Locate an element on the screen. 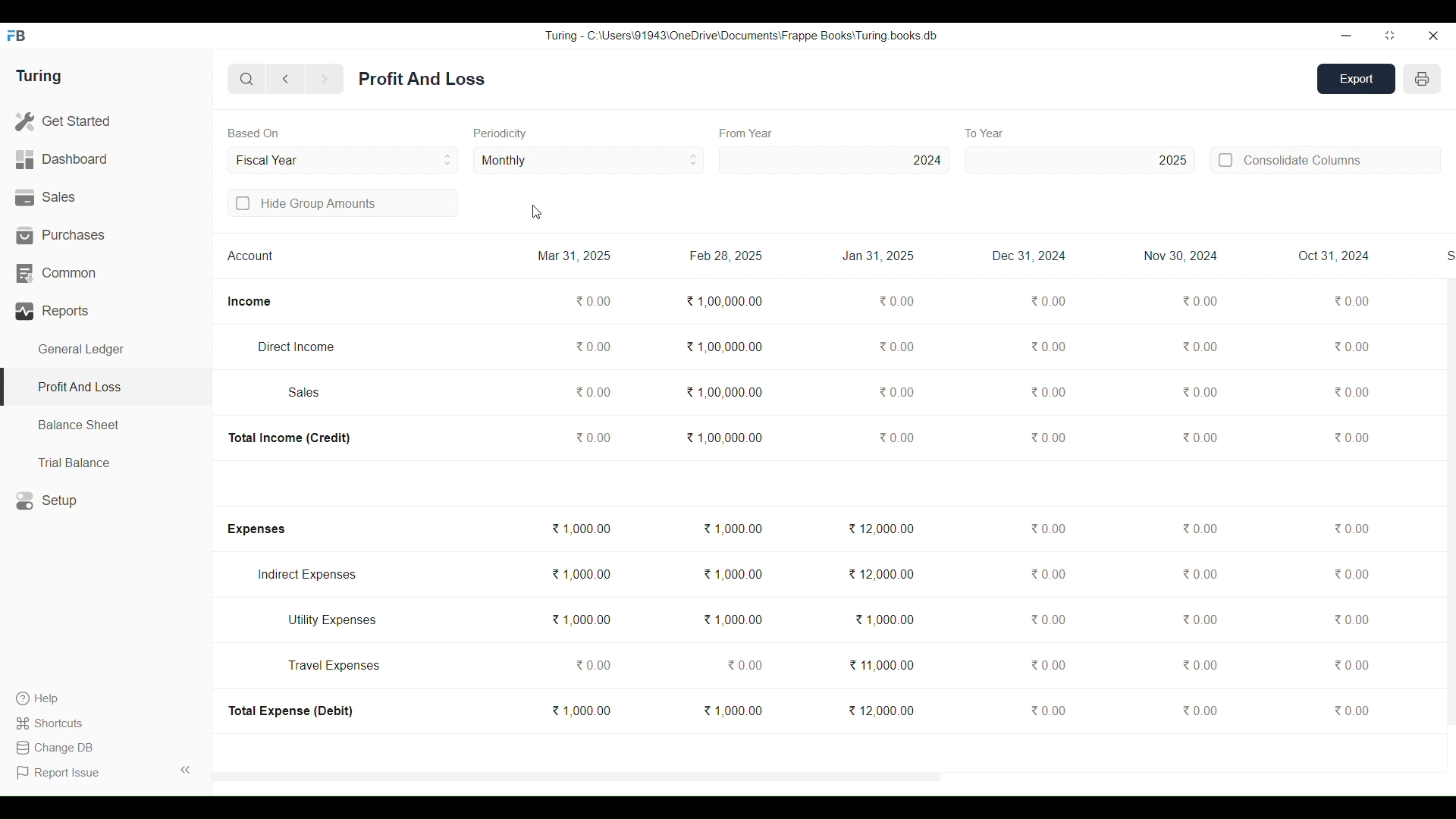 Image resolution: width=1456 pixels, height=819 pixels. 0.00 is located at coordinates (594, 346).